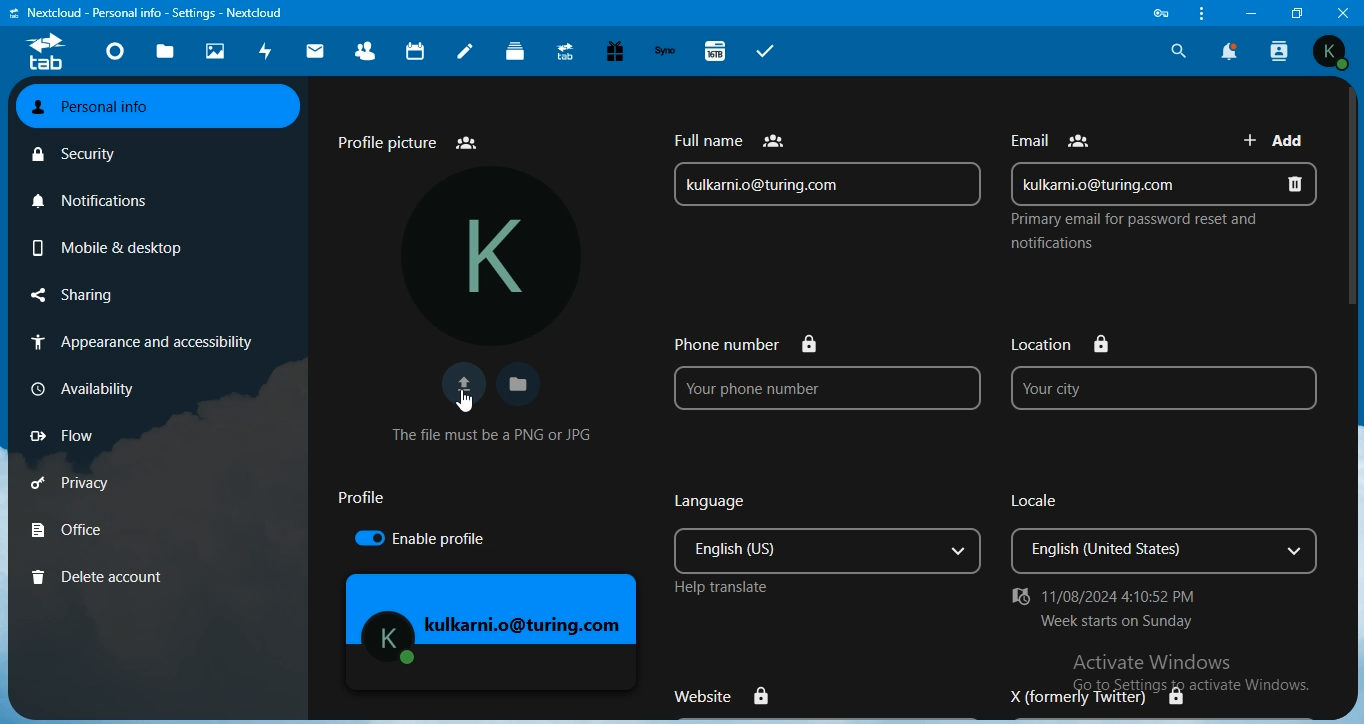  I want to click on X, so click(1109, 694).